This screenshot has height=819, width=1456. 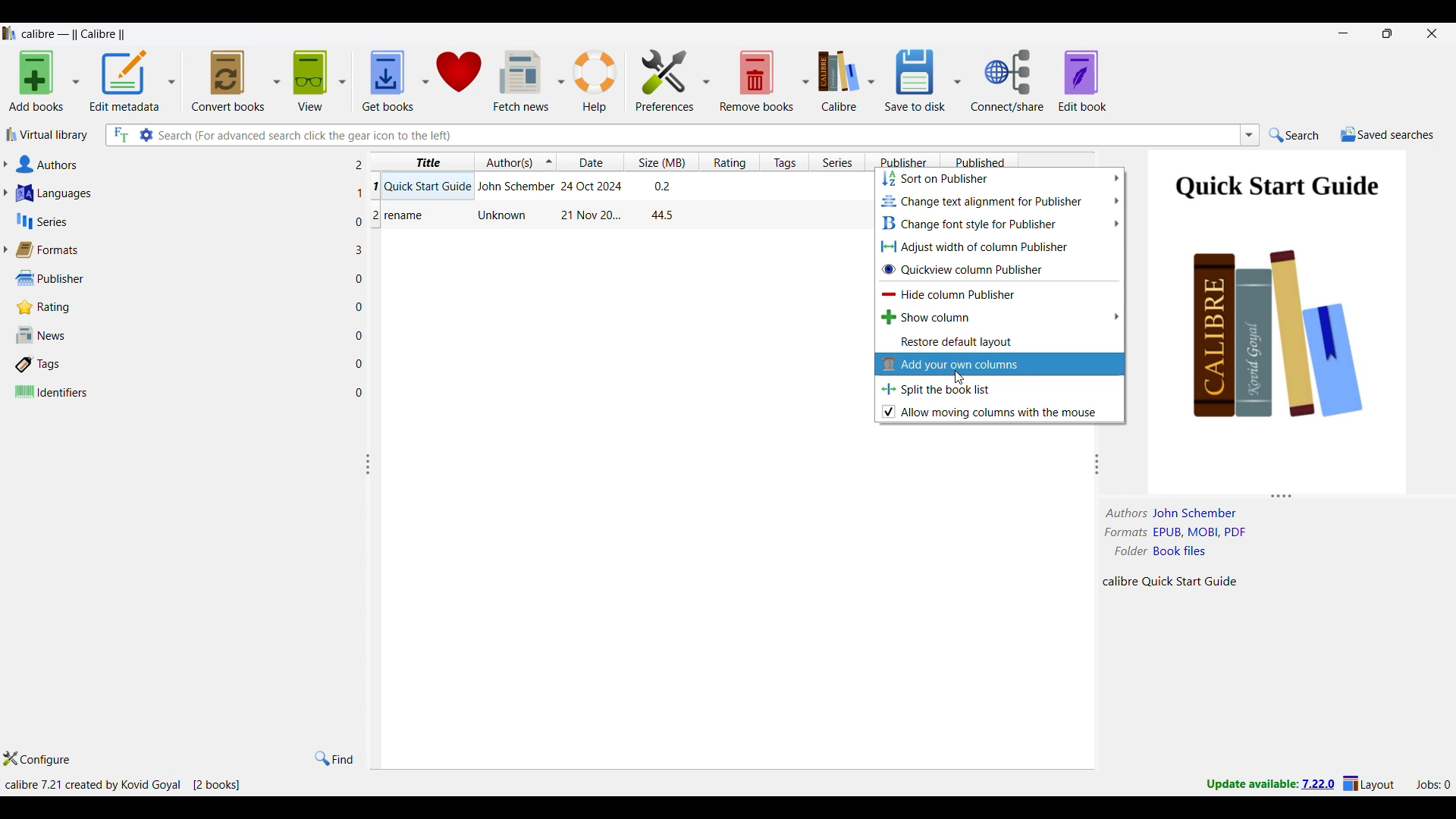 What do you see at coordinates (180, 193) in the screenshot?
I see `Languages` at bounding box center [180, 193].